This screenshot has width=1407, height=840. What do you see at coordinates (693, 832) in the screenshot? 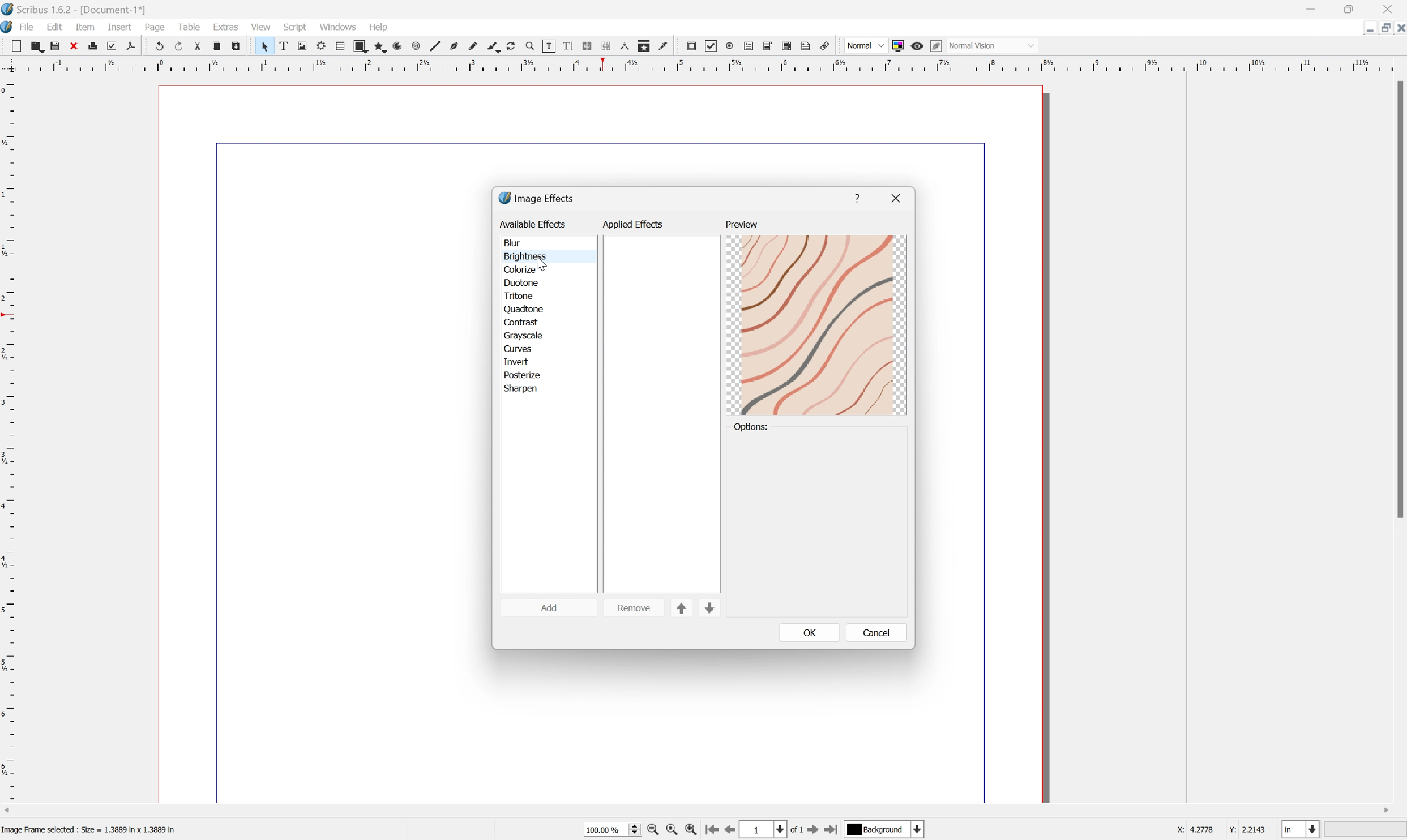
I see `Zoom In` at bounding box center [693, 832].